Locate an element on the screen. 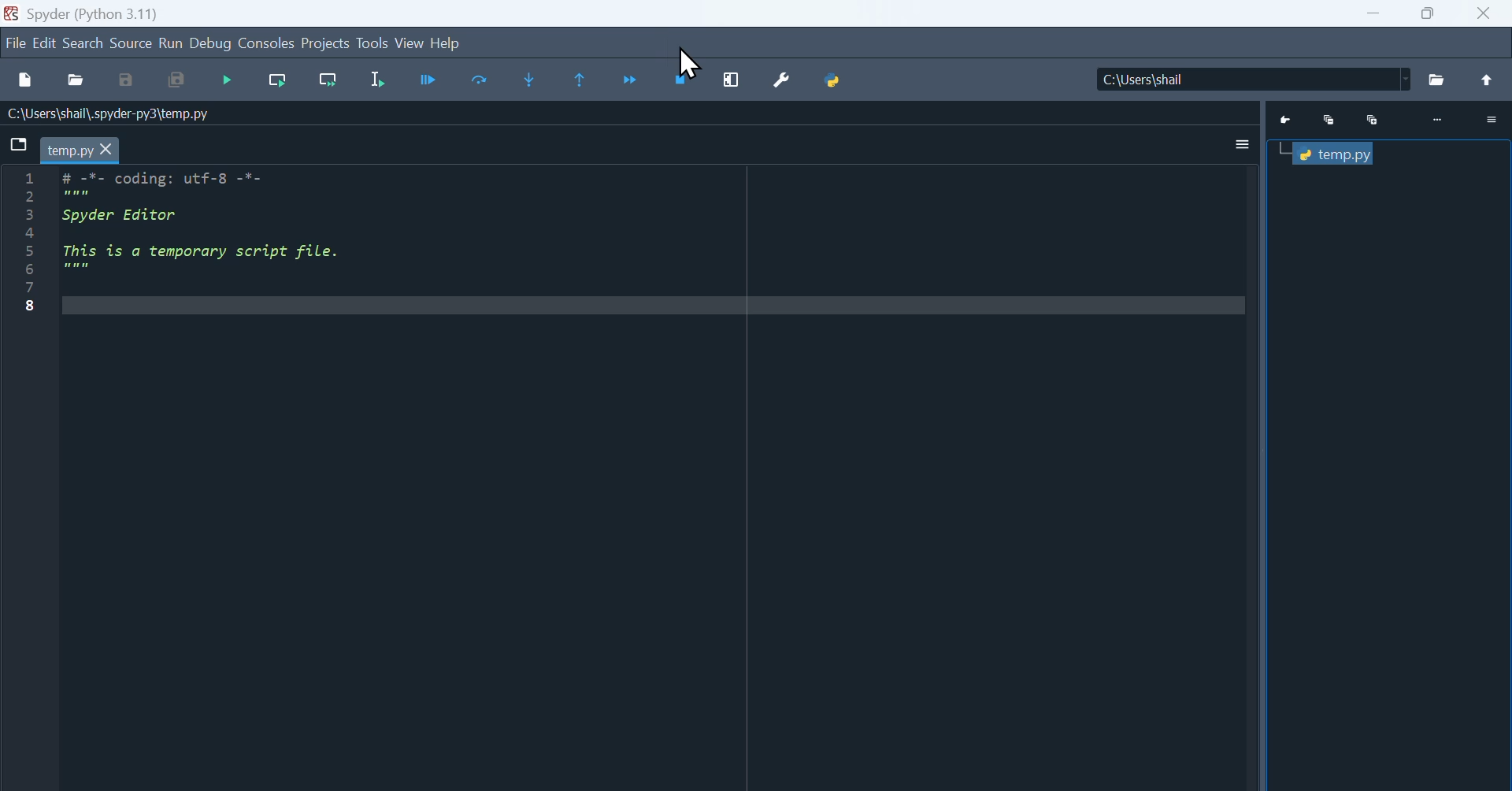 This screenshot has height=791, width=1512. Debug is located at coordinates (211, 44).